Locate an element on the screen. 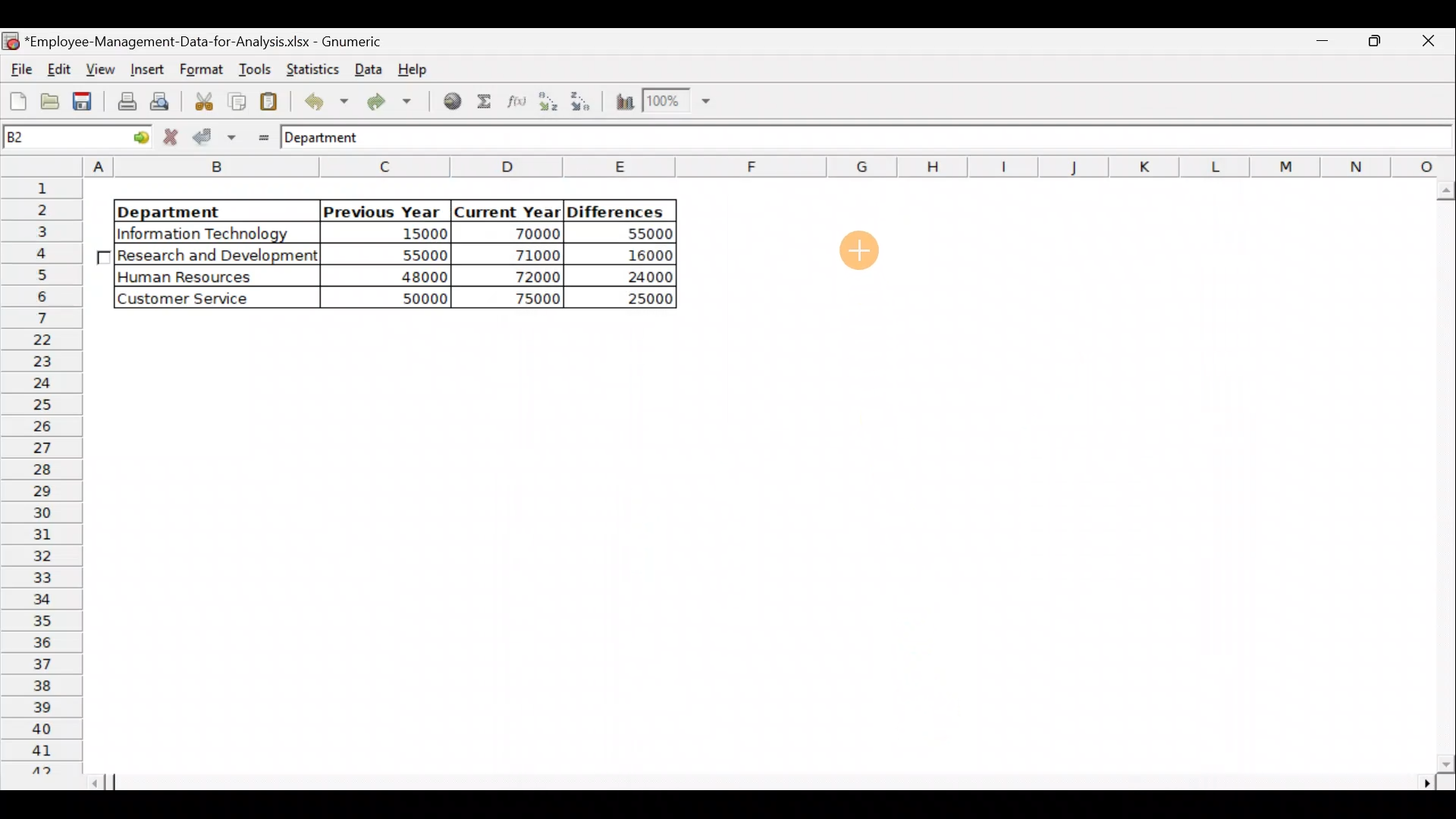 This screenshot has width=1456, height=819. Differences is located at coordinates (619, 211).